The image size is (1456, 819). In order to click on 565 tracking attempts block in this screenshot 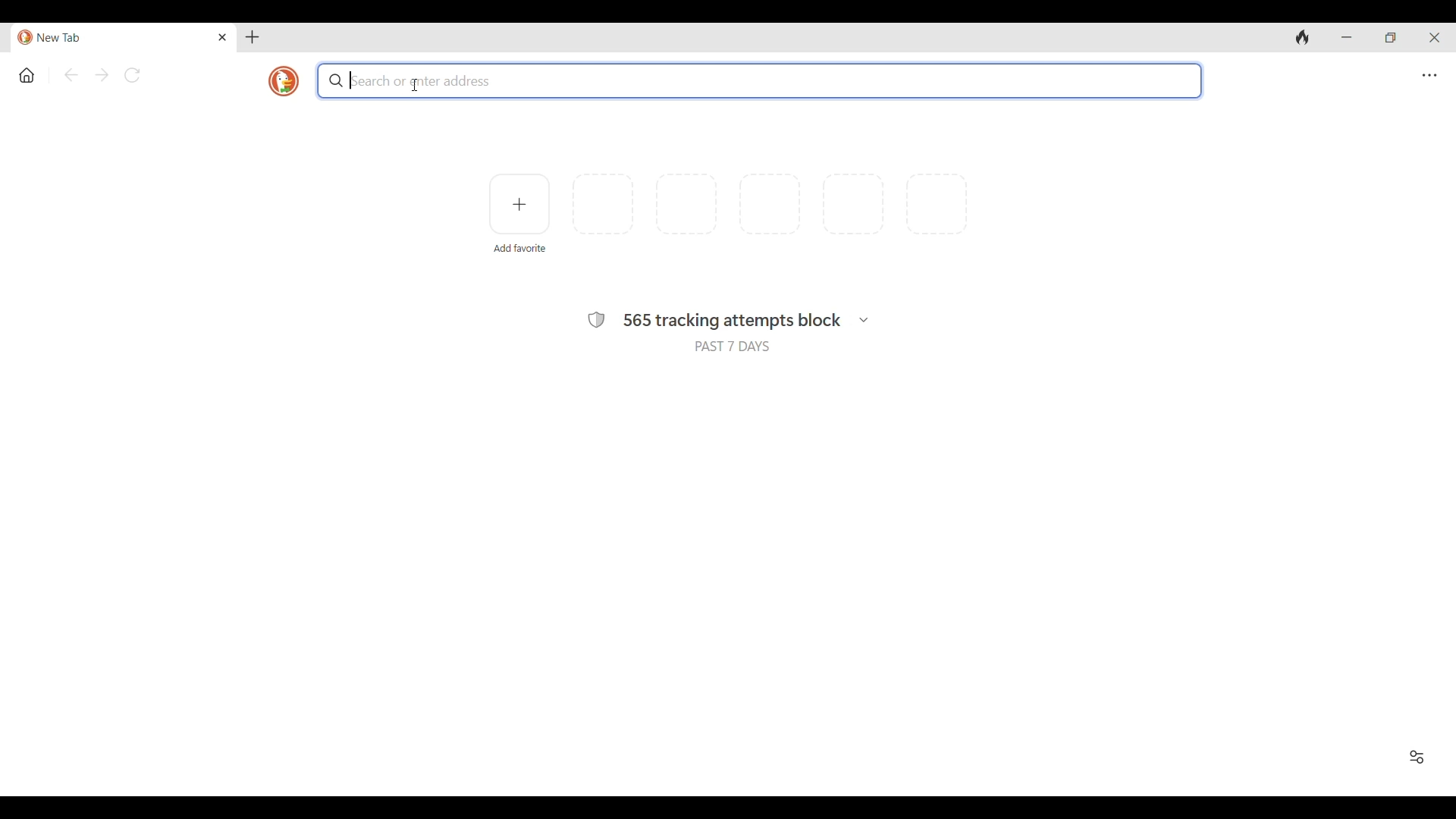, I will do `click(733, 322)`.